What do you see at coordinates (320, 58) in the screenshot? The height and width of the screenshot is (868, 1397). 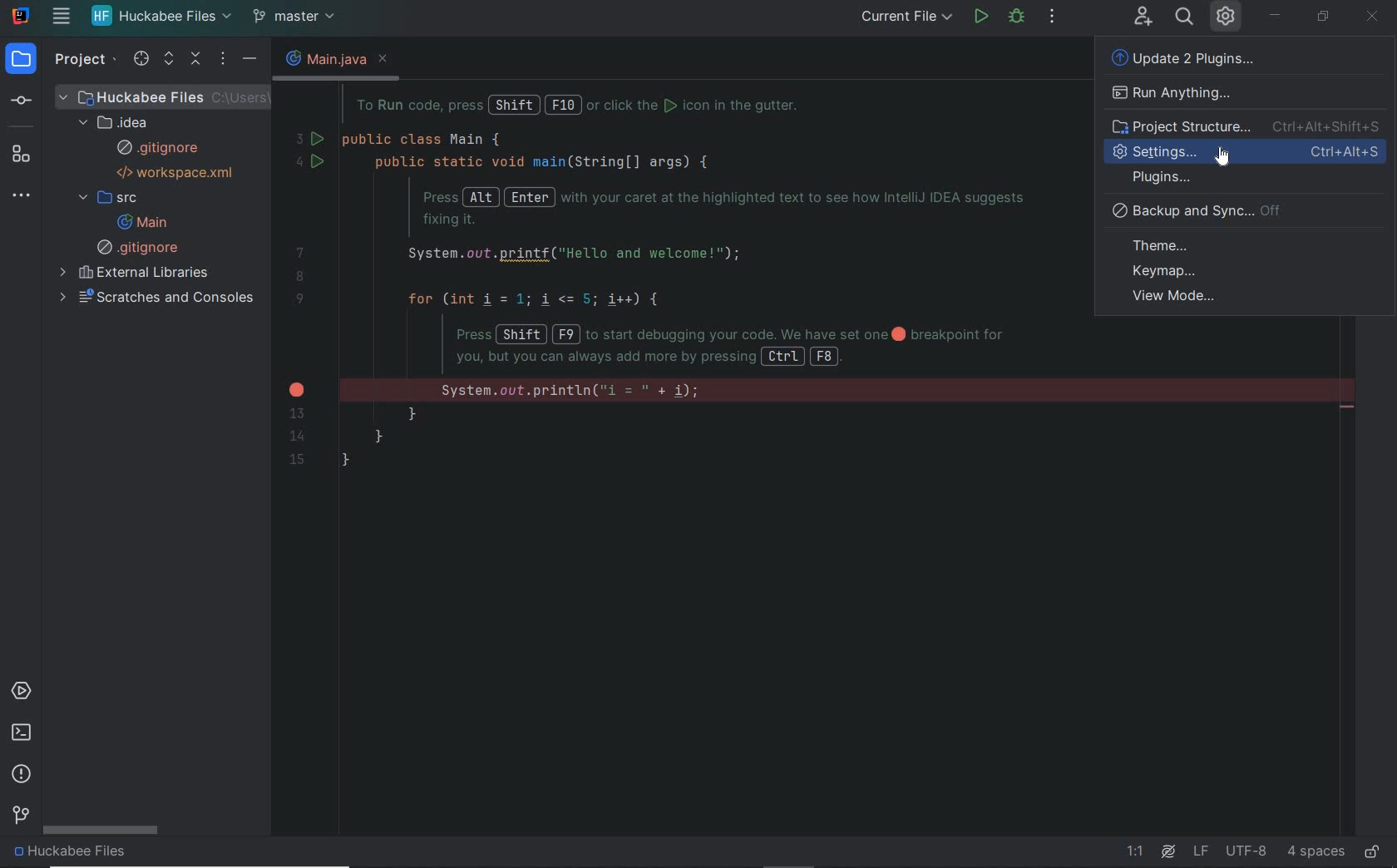 I see `main.java` at bounding box center [320, 58].